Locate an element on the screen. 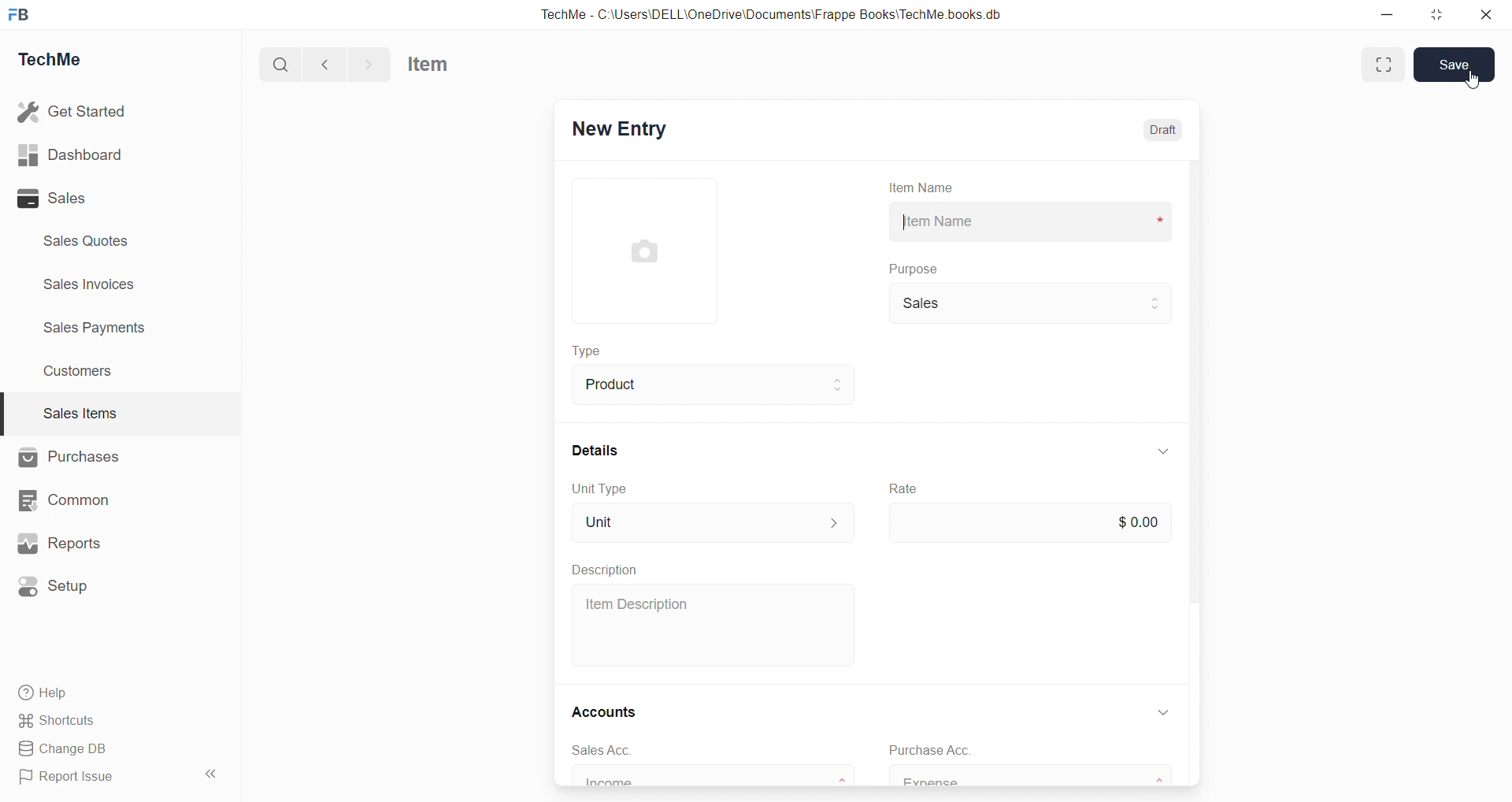 The width and height of the screenshot is (1512, 802). Setup is located at coordinates (59, 585).